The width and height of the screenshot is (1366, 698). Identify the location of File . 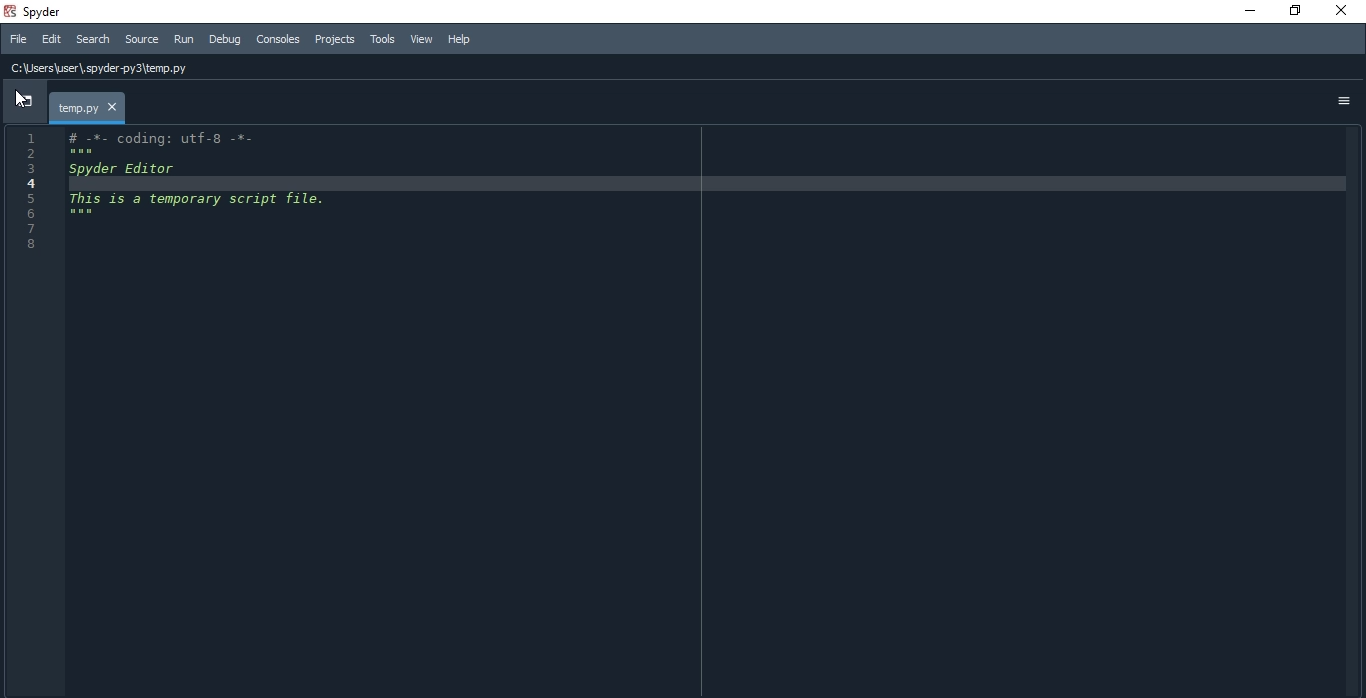
(19, 38).